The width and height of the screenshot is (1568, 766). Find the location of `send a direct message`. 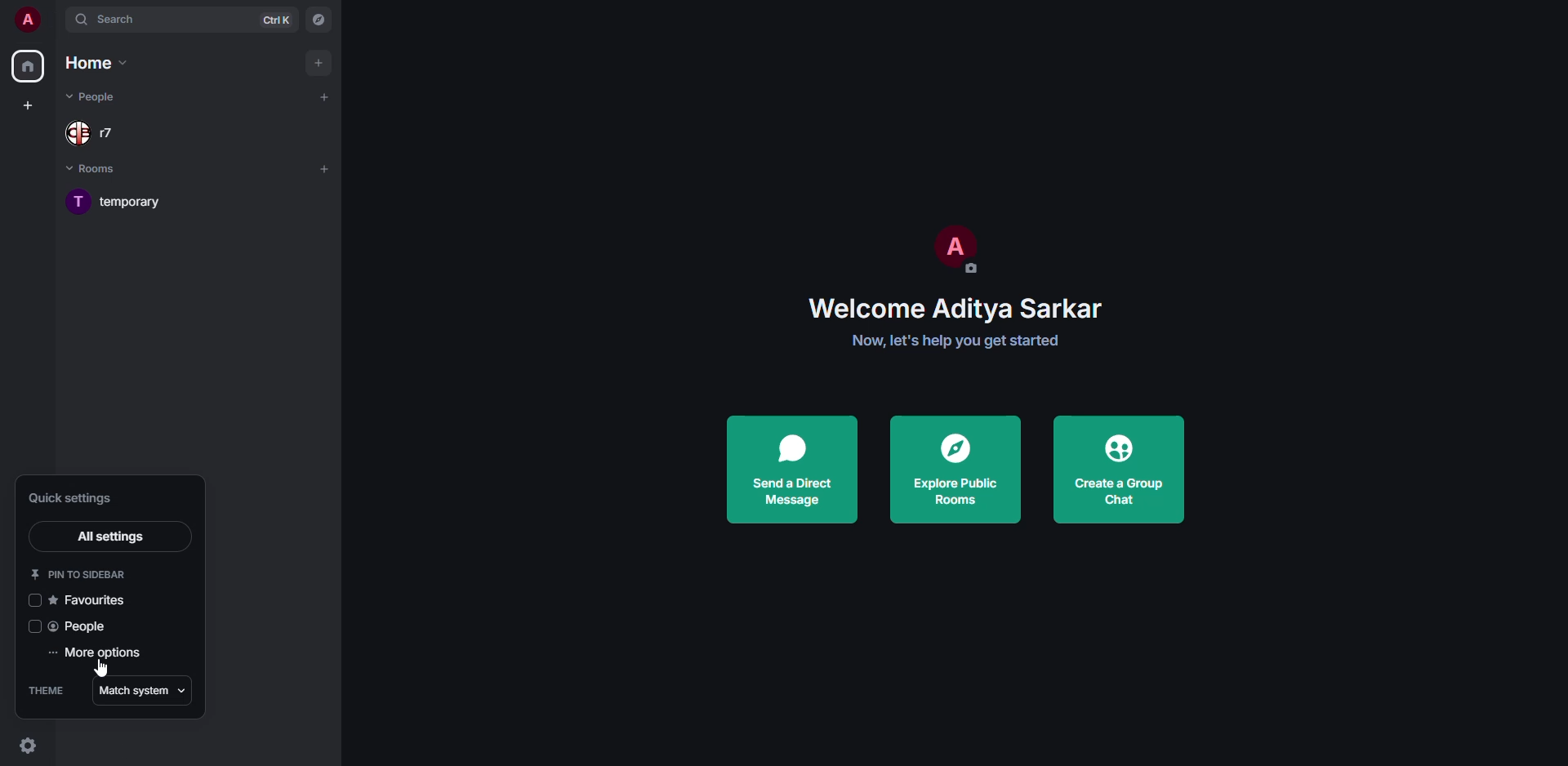

send a direct message is located at coordinates (792, 470).